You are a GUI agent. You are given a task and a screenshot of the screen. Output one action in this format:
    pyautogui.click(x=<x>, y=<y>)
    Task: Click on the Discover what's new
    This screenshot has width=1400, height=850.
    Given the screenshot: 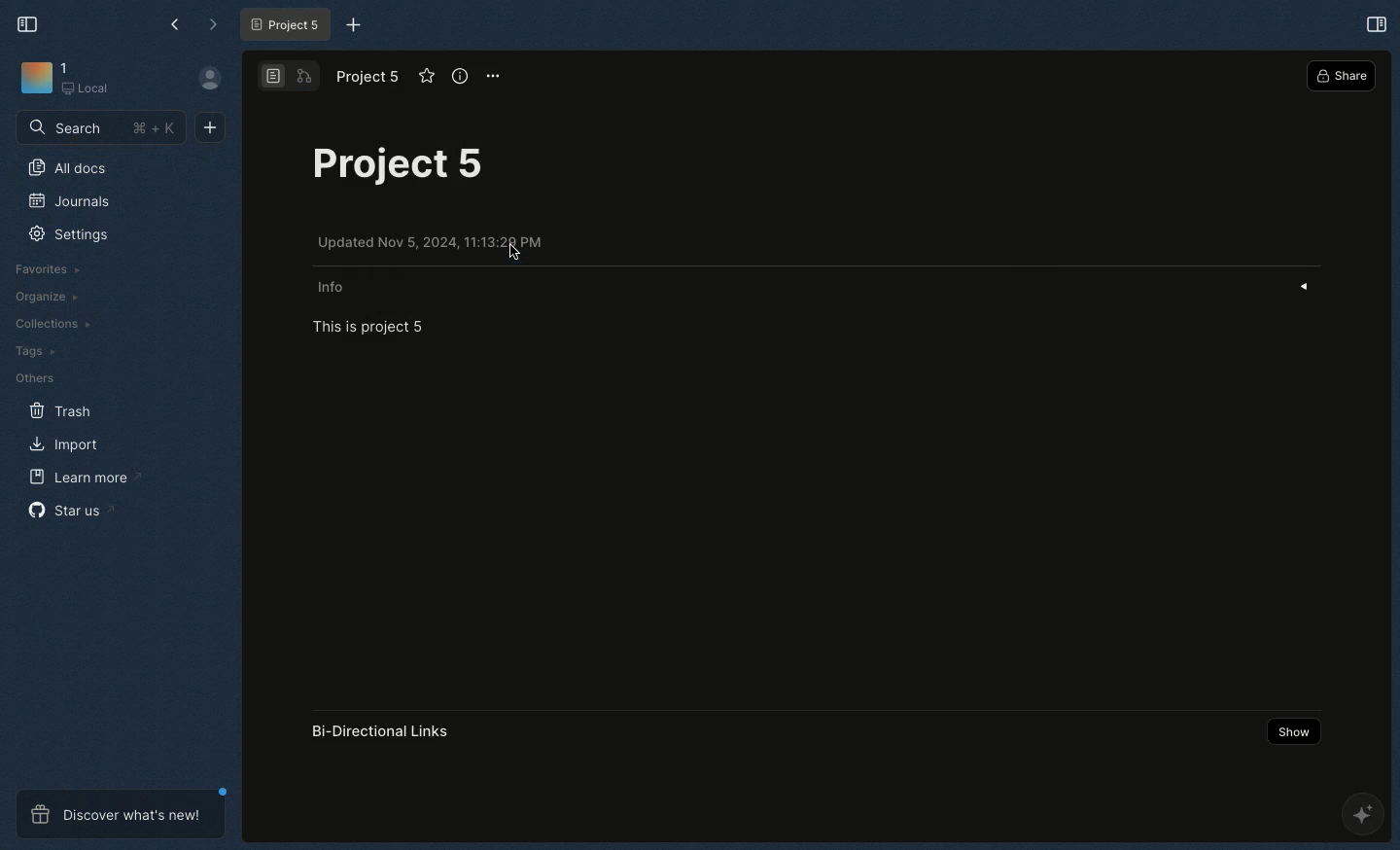 What is the action you would take?
    pyautogui.click(x=120, y=812)
    